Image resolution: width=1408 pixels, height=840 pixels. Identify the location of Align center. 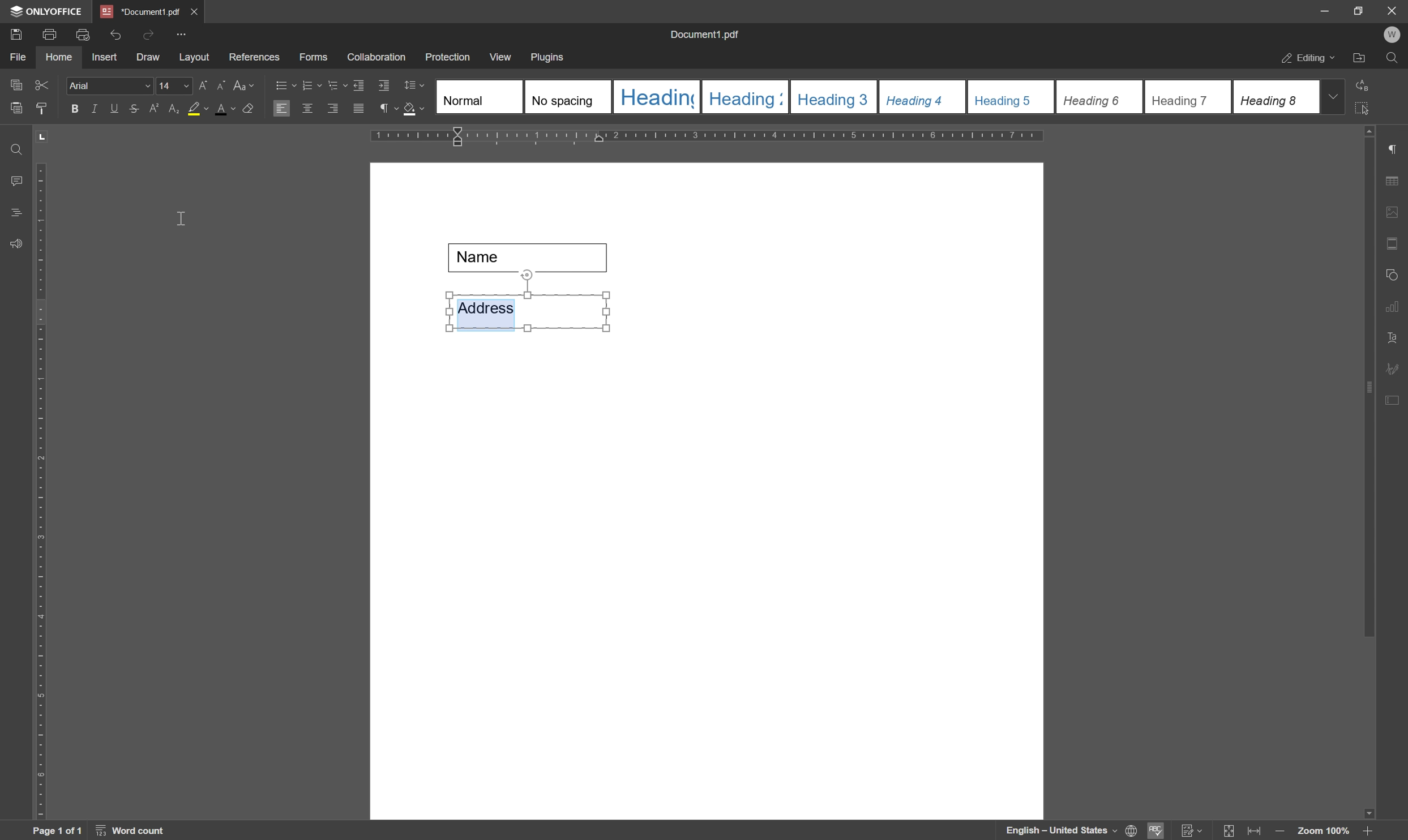
(307, 108).